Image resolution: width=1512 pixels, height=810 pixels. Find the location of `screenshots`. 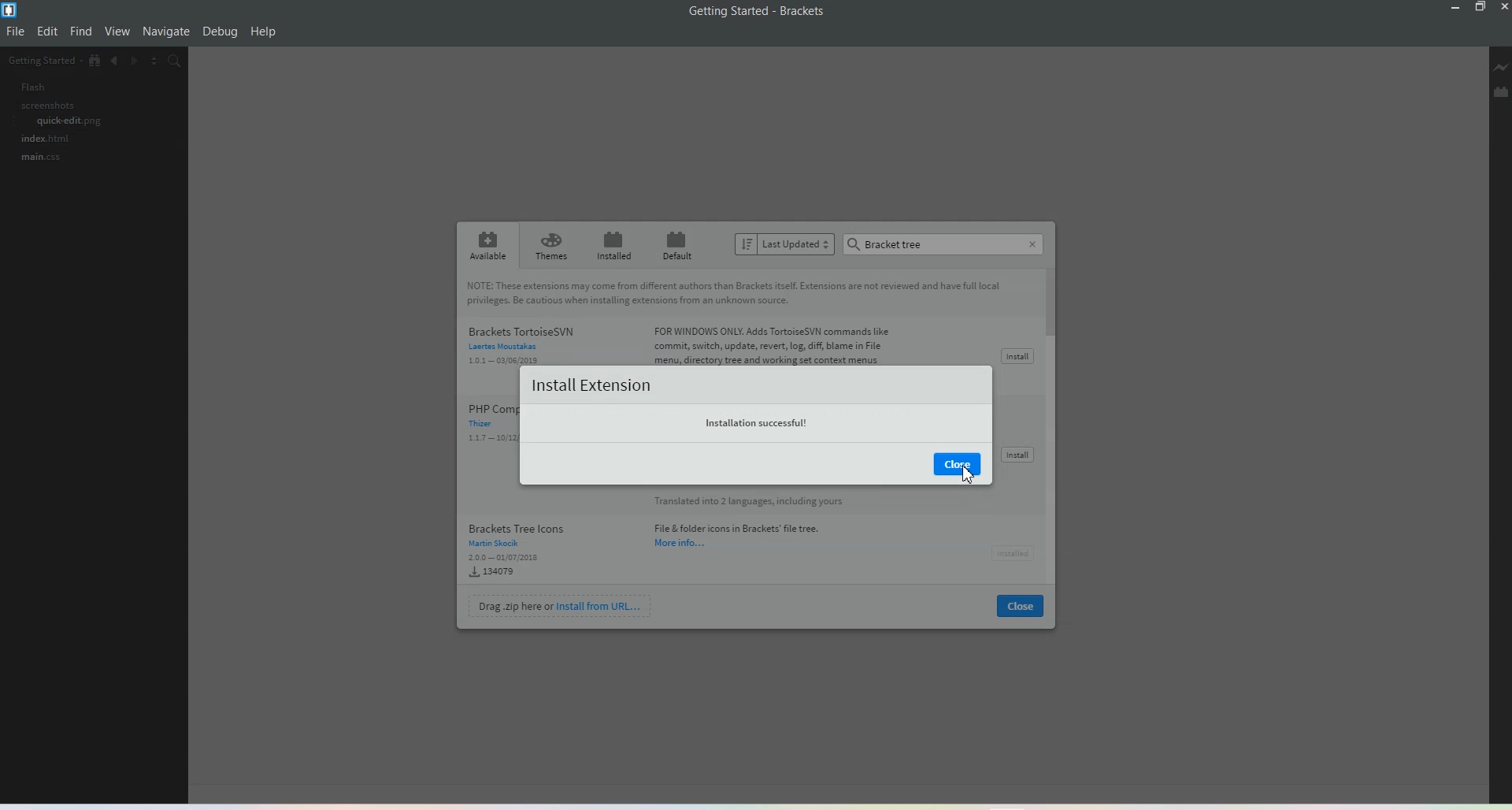

screenshots is located at coordinates (38, 106).